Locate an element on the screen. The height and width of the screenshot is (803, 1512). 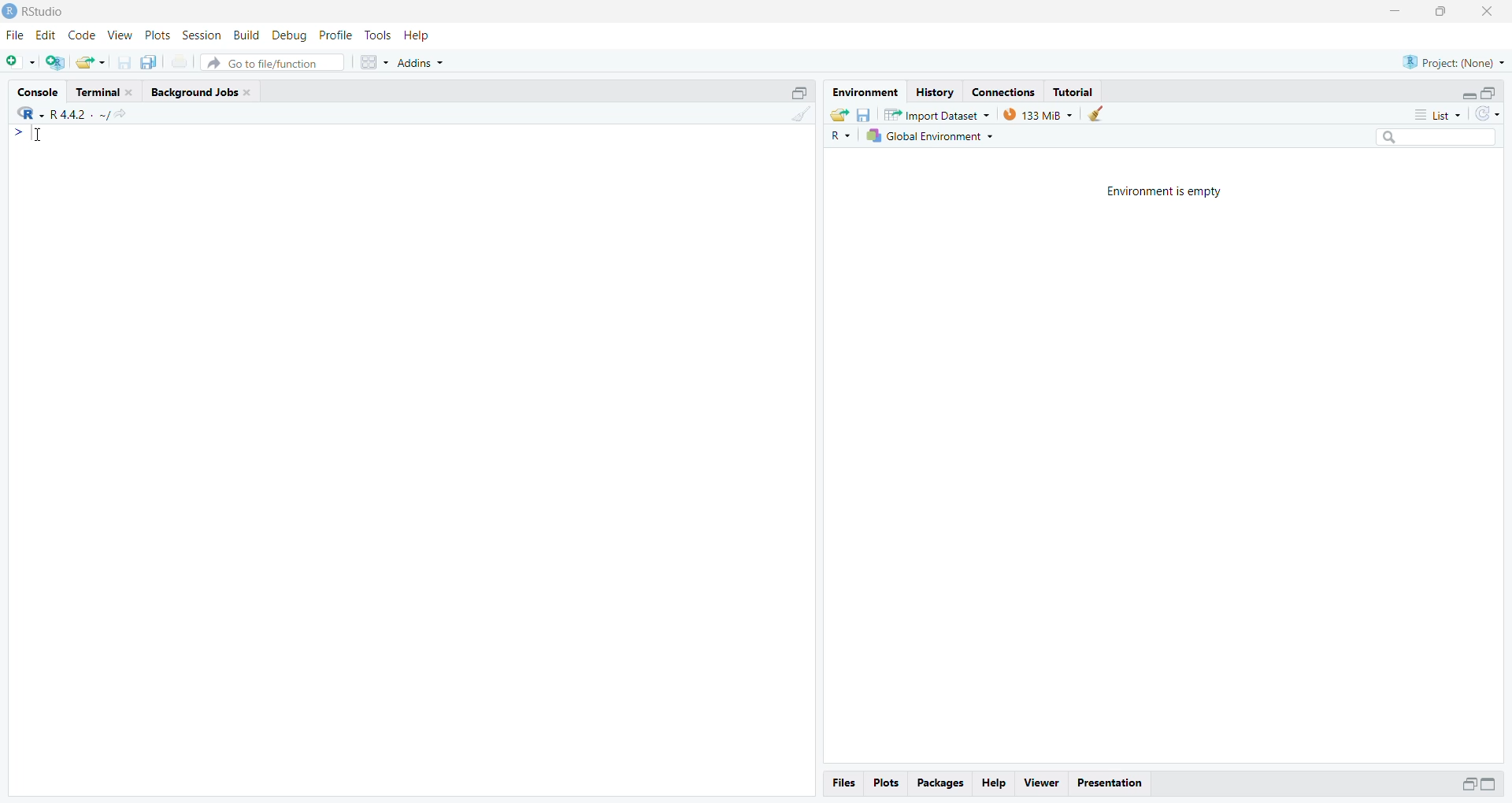
Background Jobs is located at coordinates (198, 94).